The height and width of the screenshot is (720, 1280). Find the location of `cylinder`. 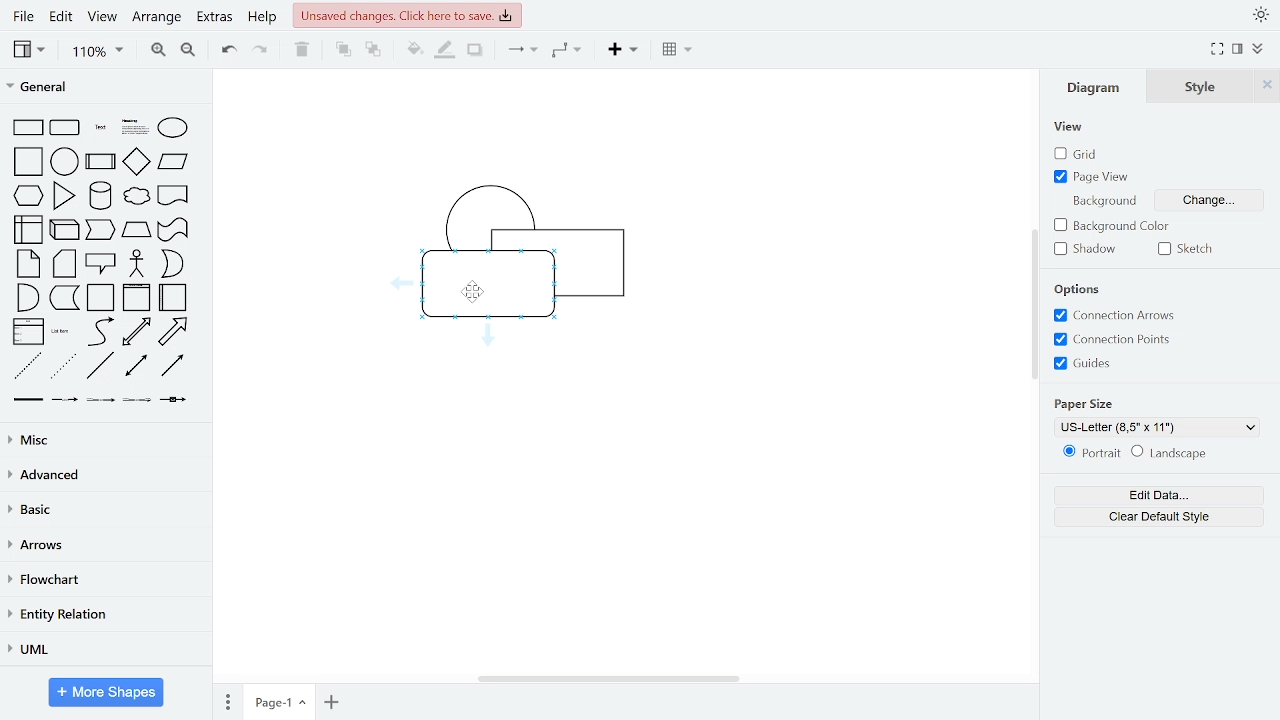

cylinder is located at coordinates (100, 197).